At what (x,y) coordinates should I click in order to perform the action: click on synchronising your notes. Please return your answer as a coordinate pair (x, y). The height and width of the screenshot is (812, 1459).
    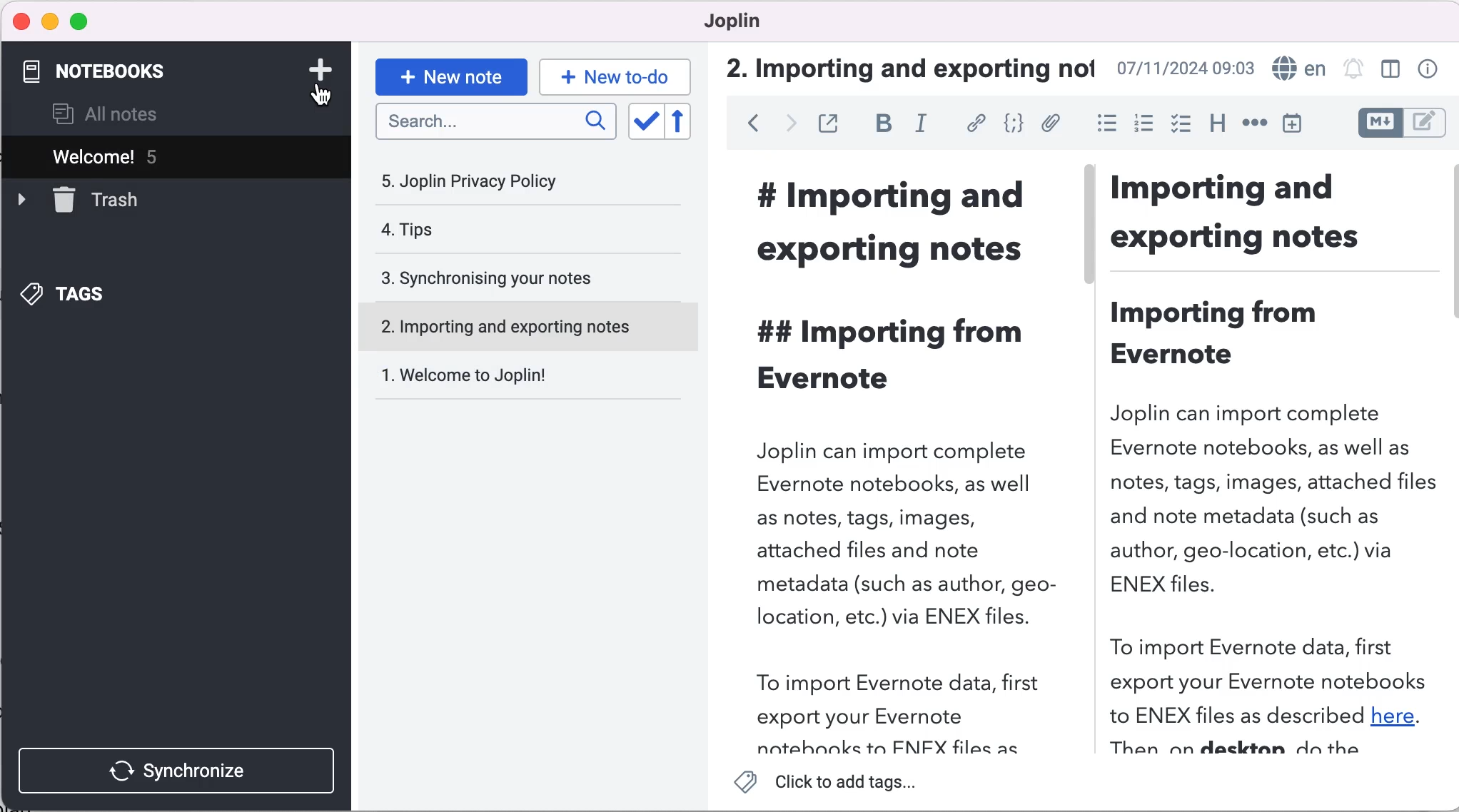
    Looking at the image, I should click on (510, 278).